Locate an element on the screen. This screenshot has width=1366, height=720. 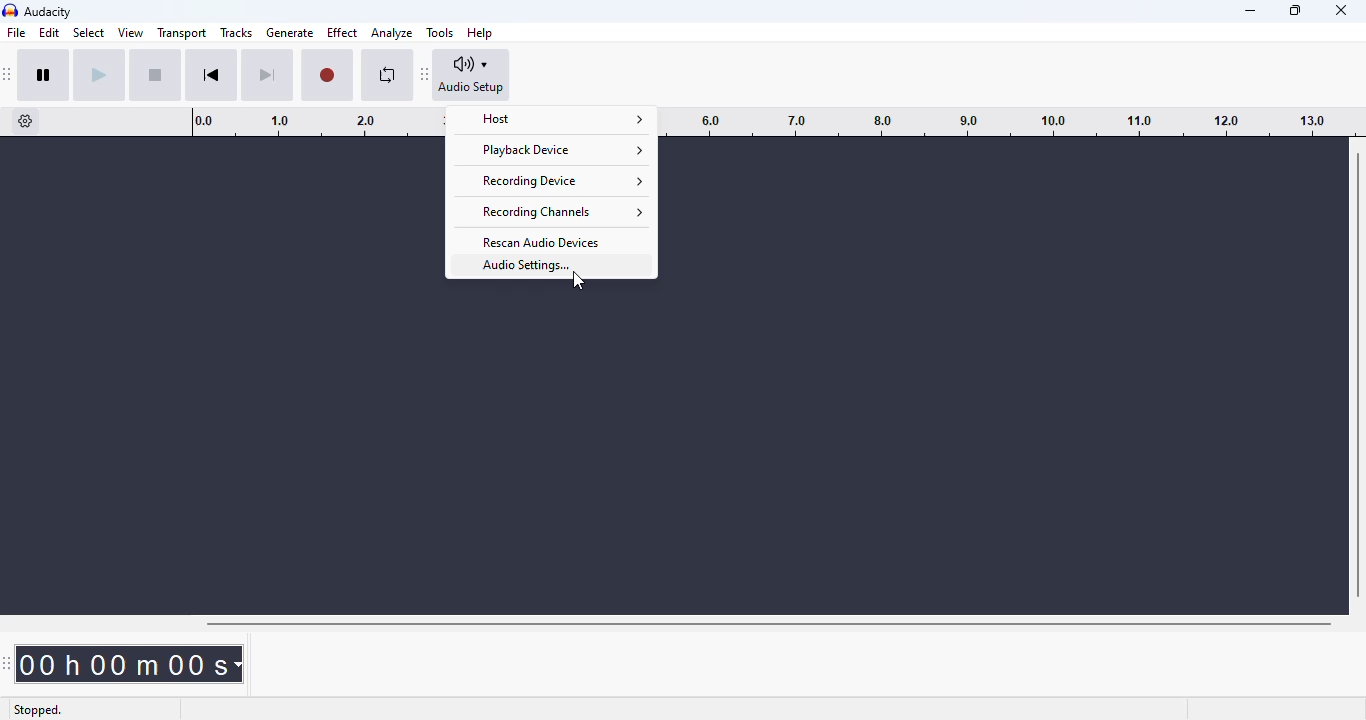
playback device is located at coordinates (554, 150).